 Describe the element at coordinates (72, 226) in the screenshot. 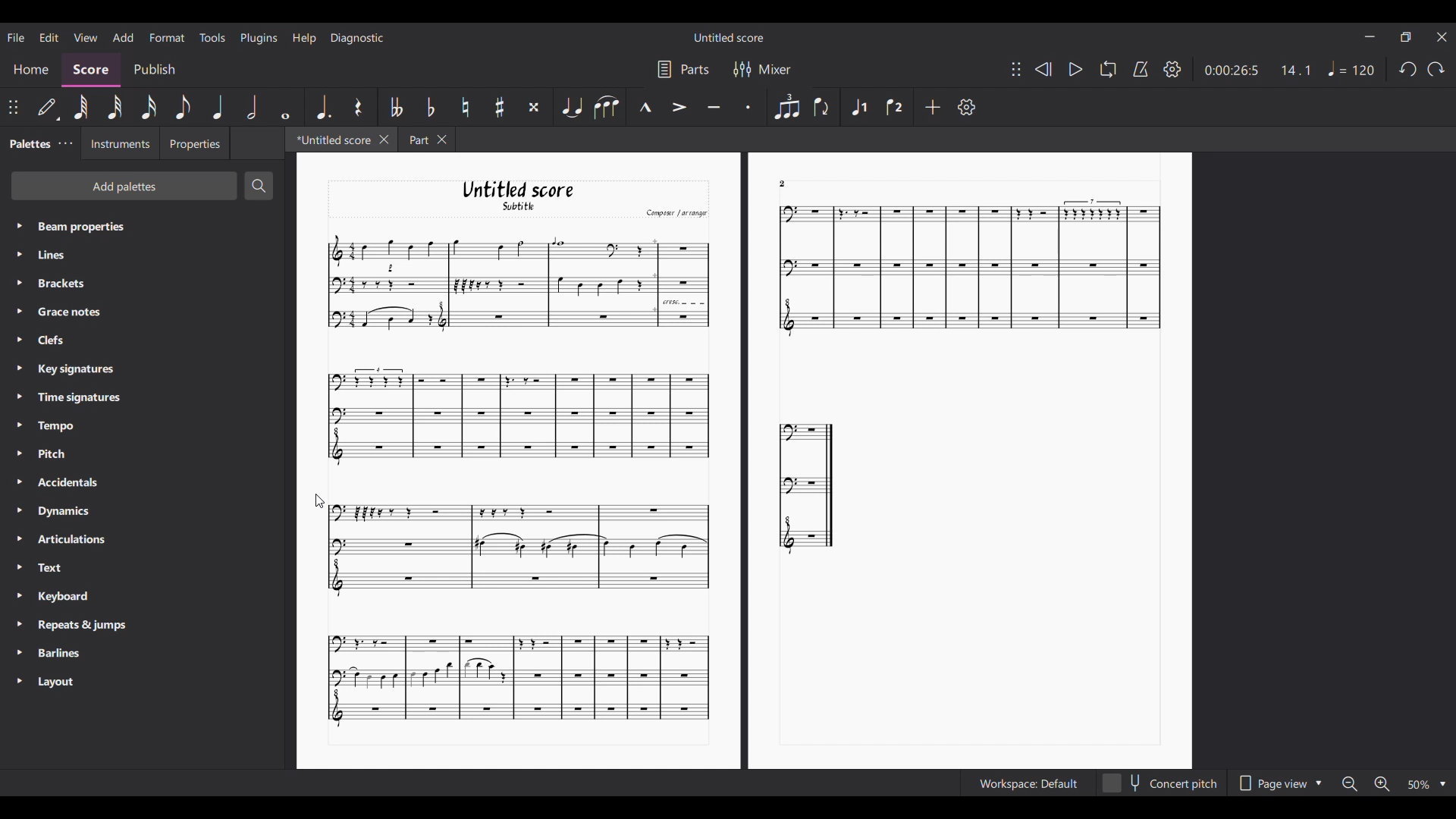

I see `> Beam properties` at that location.